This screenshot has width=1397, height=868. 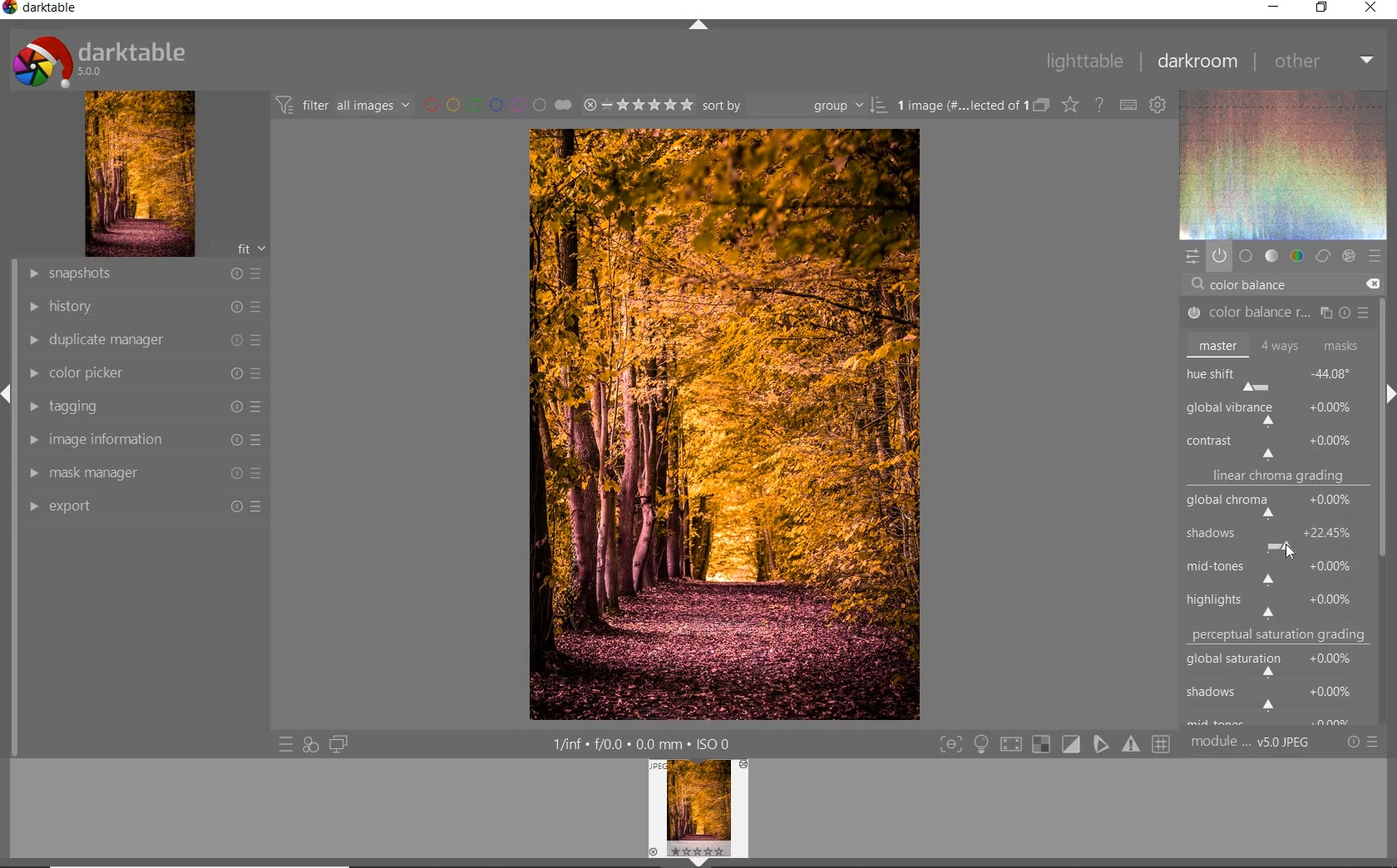 I want to click on hue shift, so click(x=1277, y=377).